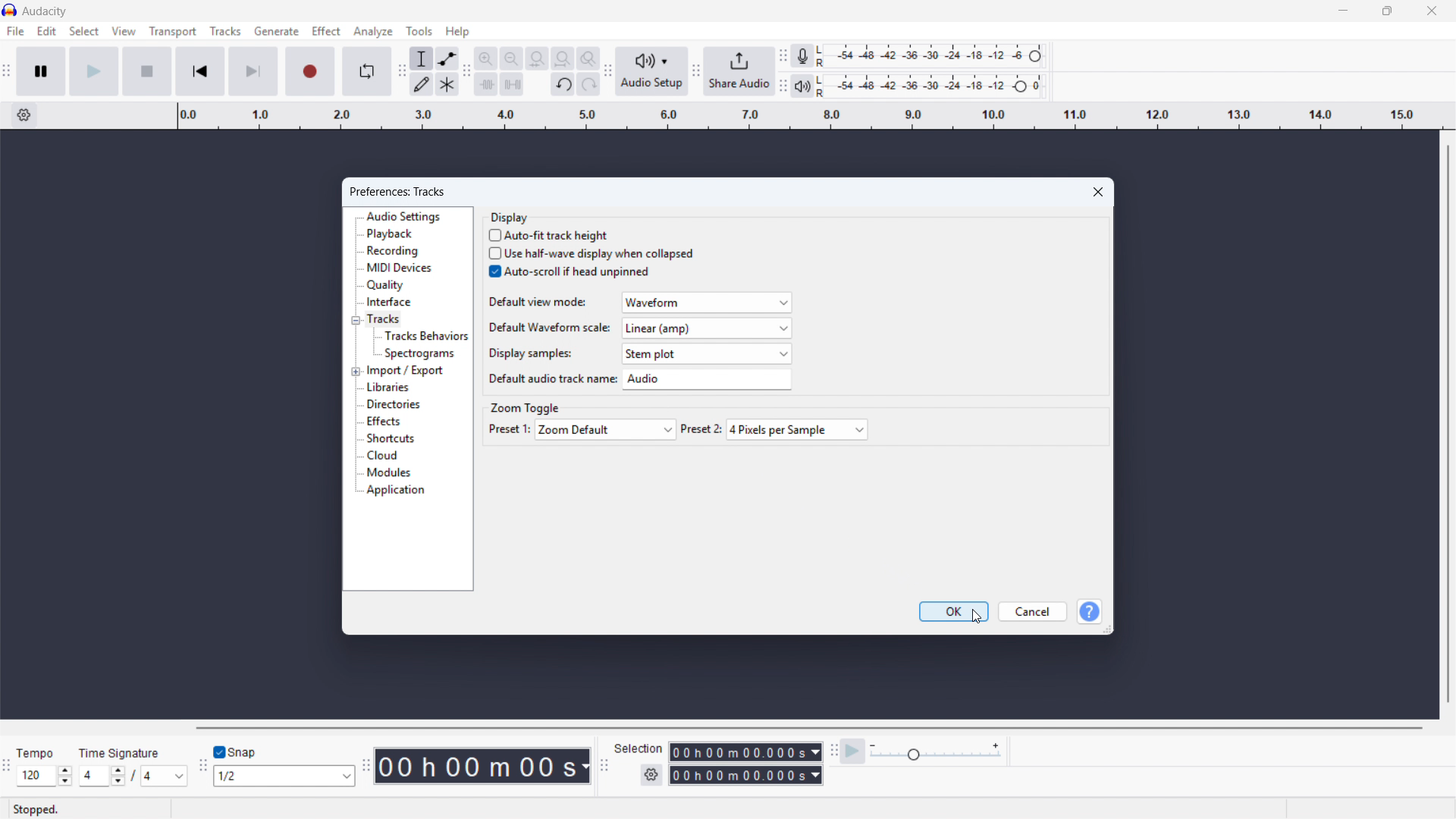 The height and width of the screenshot is (819, 1456). What do you see at coordinates (608, 73) in the screenshot?
I see `audio setup toolbar` at bounding box center [608, 73].